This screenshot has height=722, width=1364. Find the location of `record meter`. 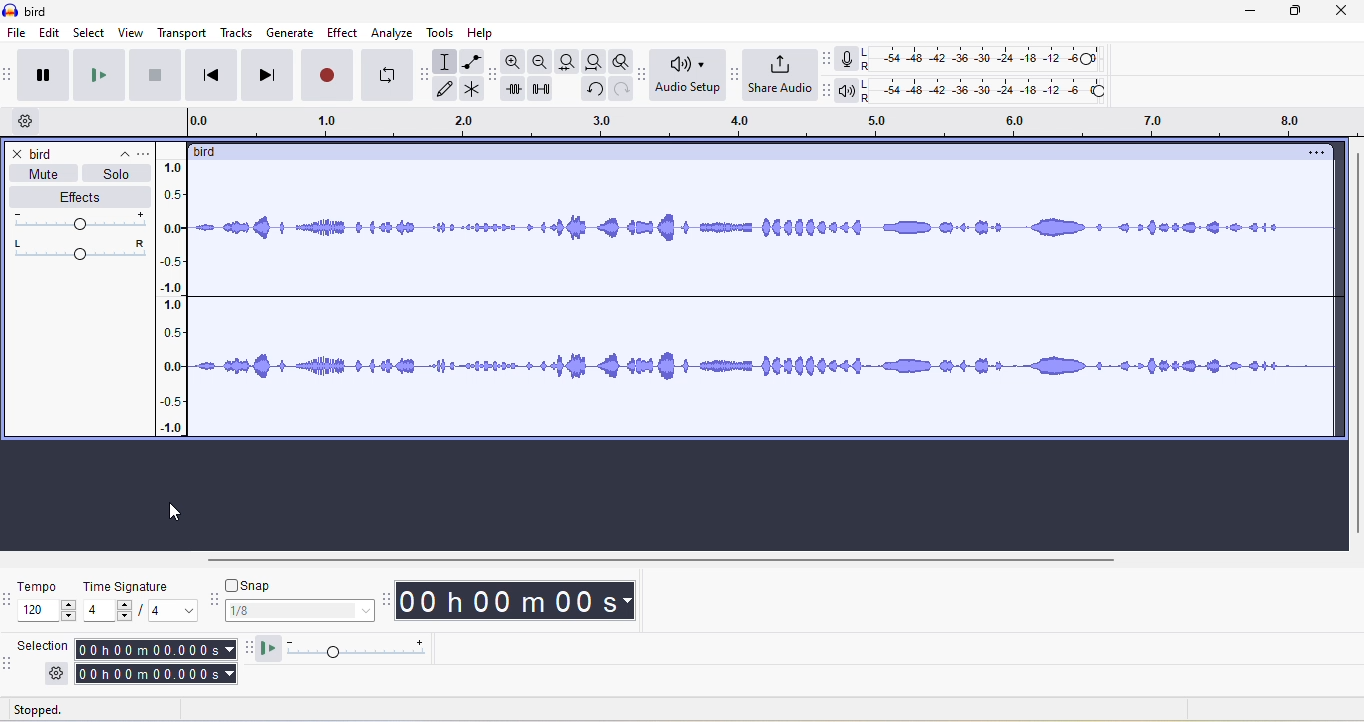

record meter is located at coordinates (847, 59).